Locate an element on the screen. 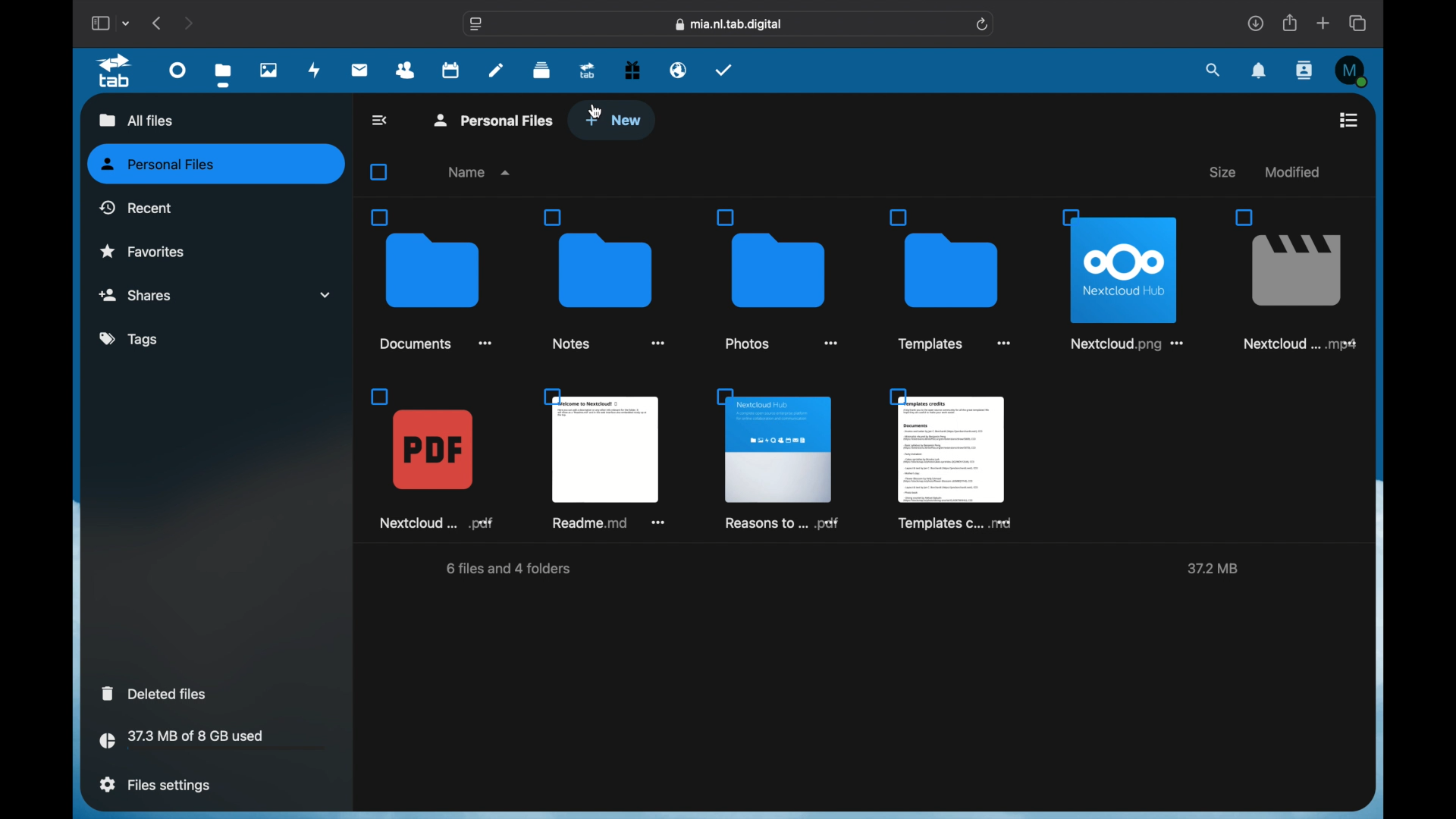 The width and height of the screenshot is (1456, 819). tab group picker is located at coordinates (127, 23).